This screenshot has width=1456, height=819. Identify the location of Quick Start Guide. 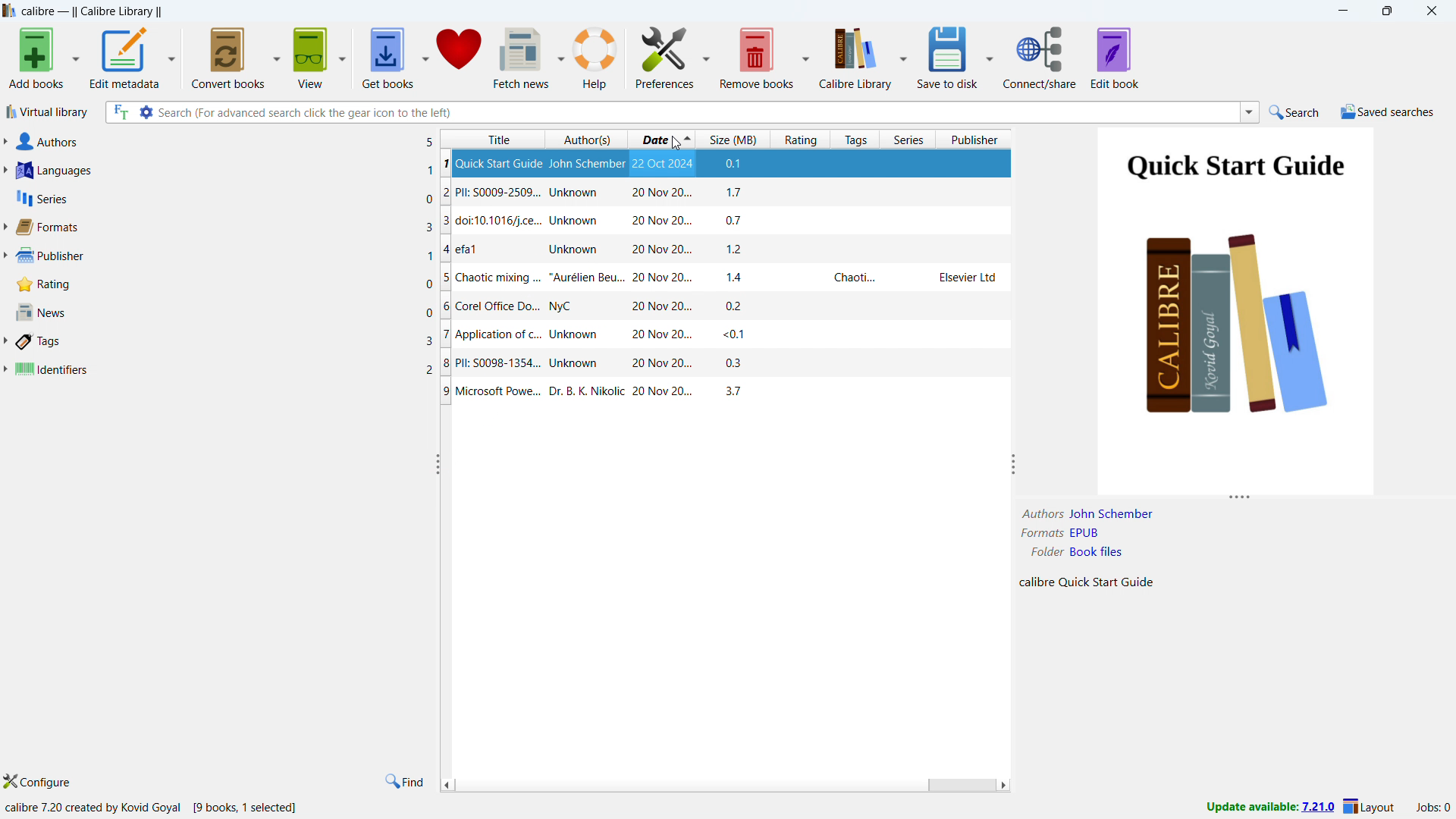
(493, 306).